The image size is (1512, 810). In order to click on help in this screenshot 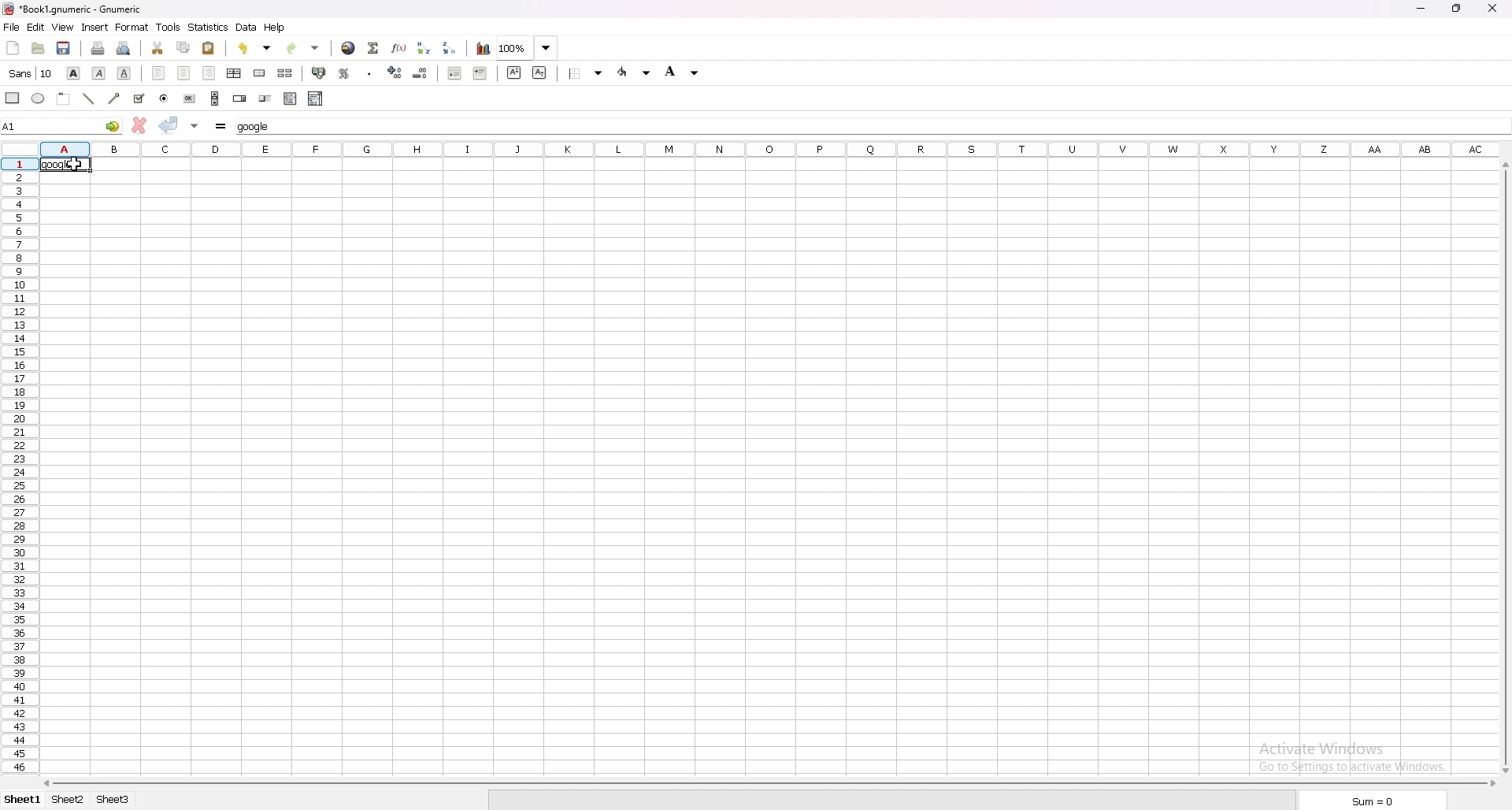, I will do `click(276, 27)`.